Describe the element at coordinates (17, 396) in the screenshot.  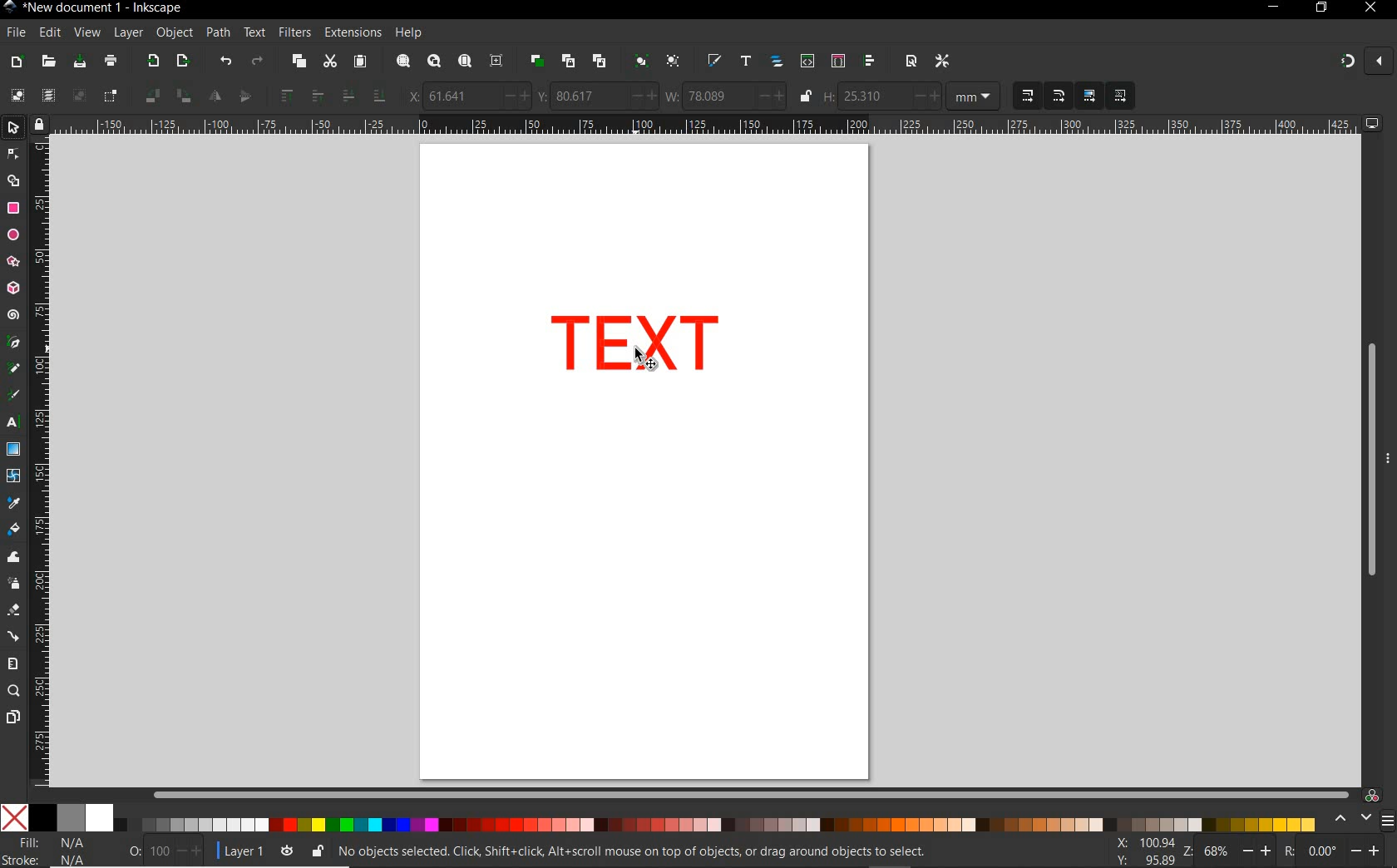
I see `calligraphy tool` at that location.